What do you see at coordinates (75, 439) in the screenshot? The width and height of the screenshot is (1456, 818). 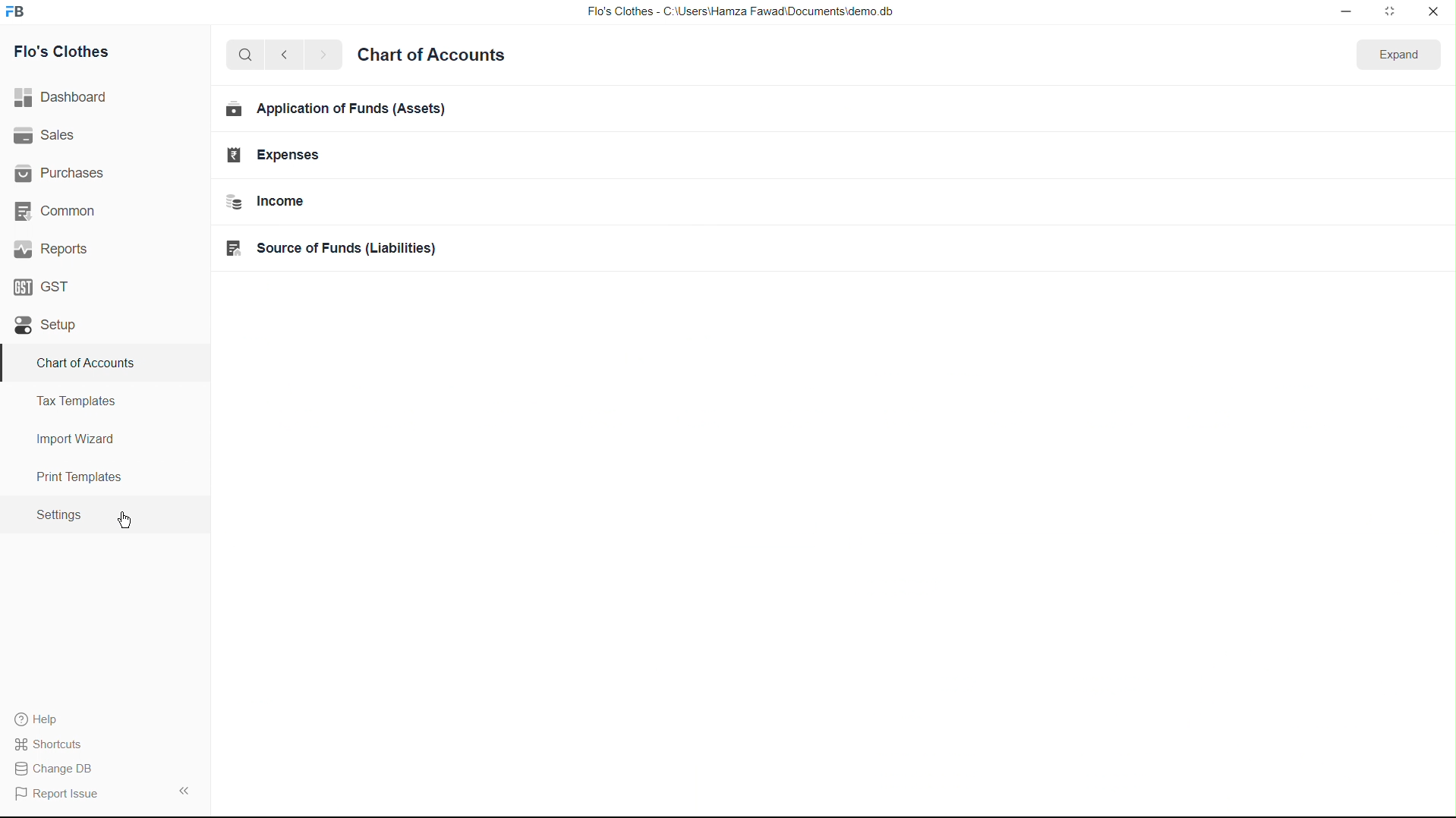 I see `Import Wizard` at bounding box center [75, 439].